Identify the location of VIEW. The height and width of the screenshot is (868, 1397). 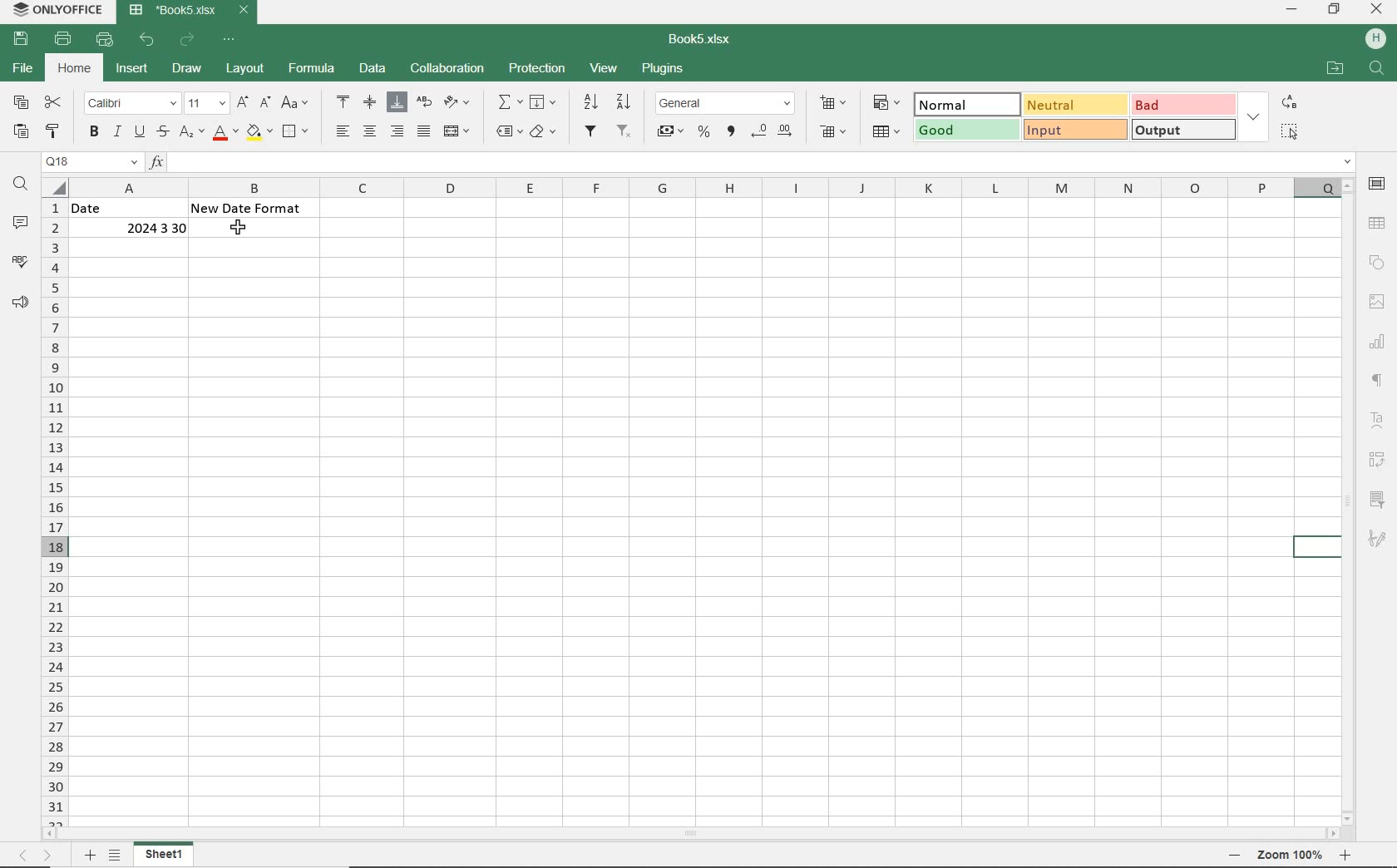
(604, 68).